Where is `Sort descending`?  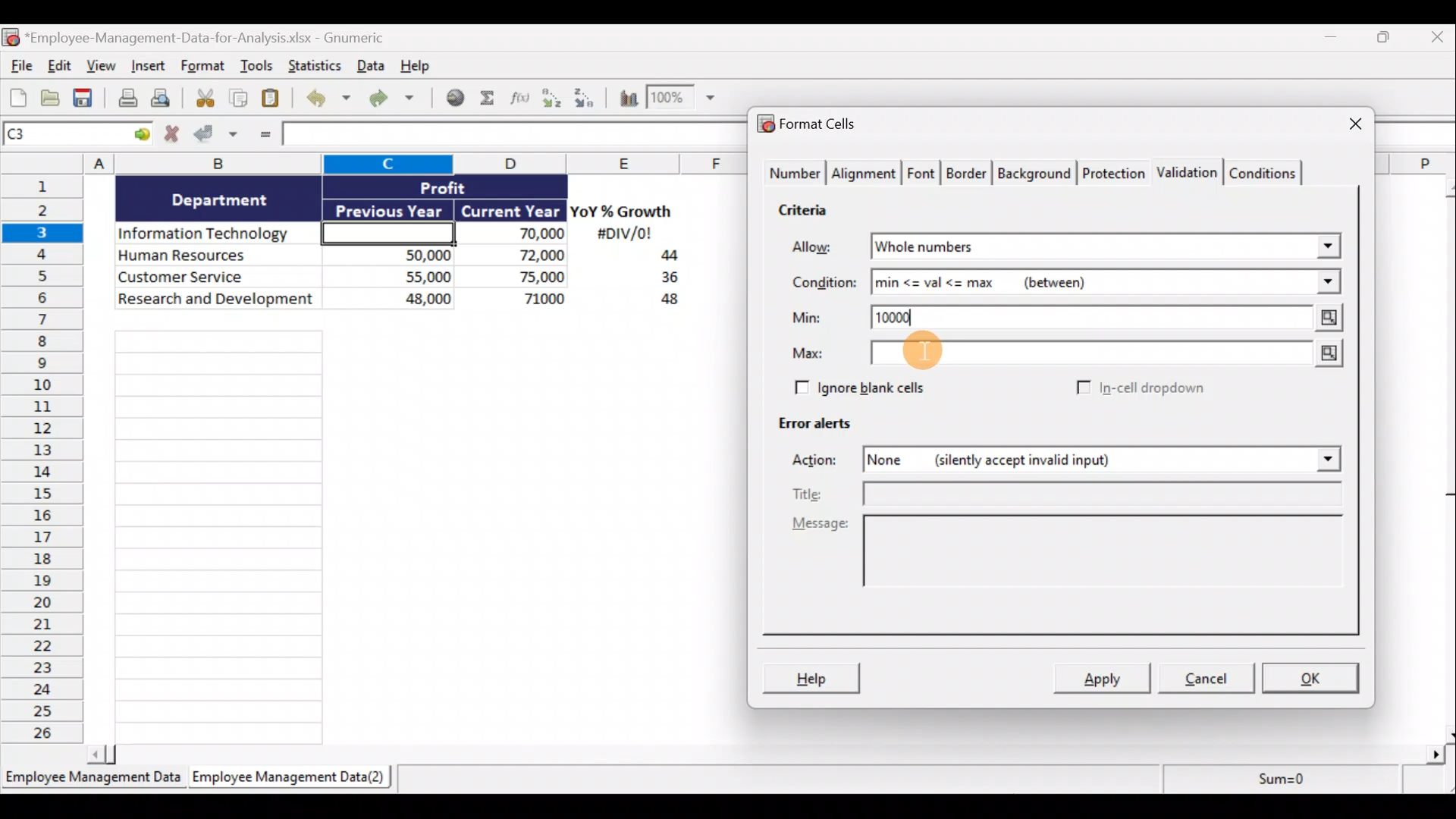 Sort descending is located at coordinates (582, 96).